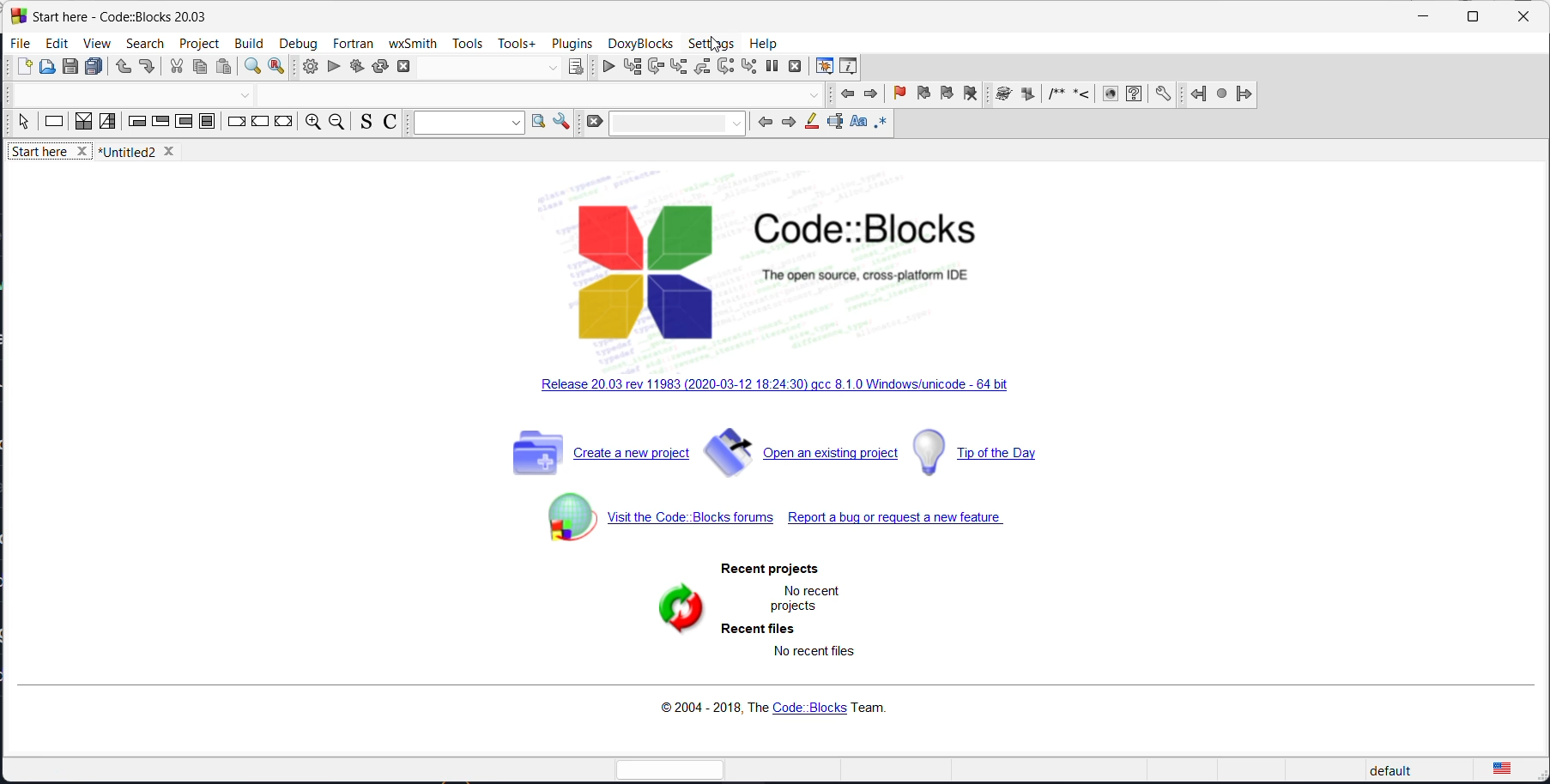  Describe the element at coordinates (277, 69) in the screenshot. I see `replace` at that location.